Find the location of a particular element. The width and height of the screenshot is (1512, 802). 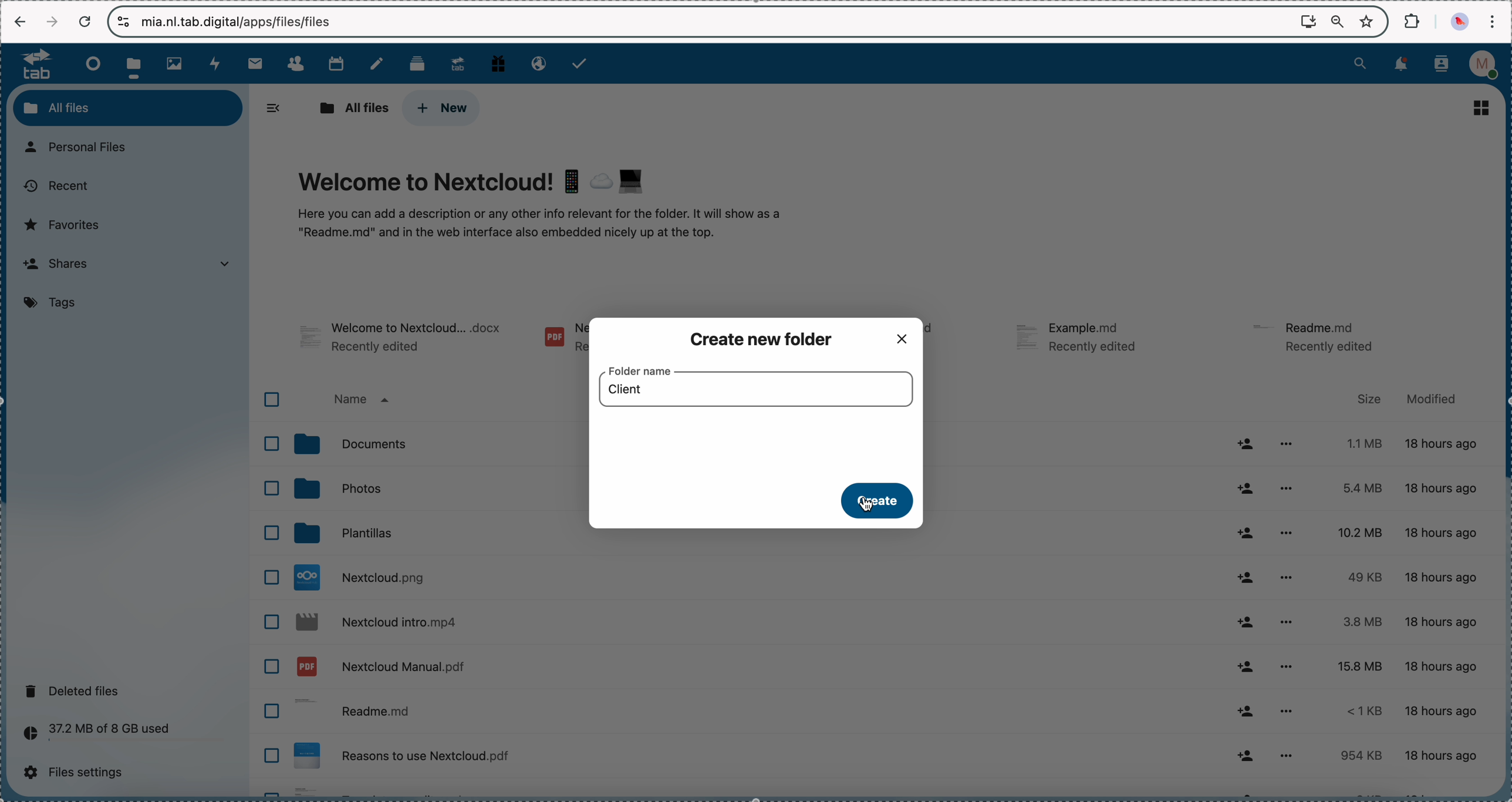

search is located at coordinates (1360, 62).